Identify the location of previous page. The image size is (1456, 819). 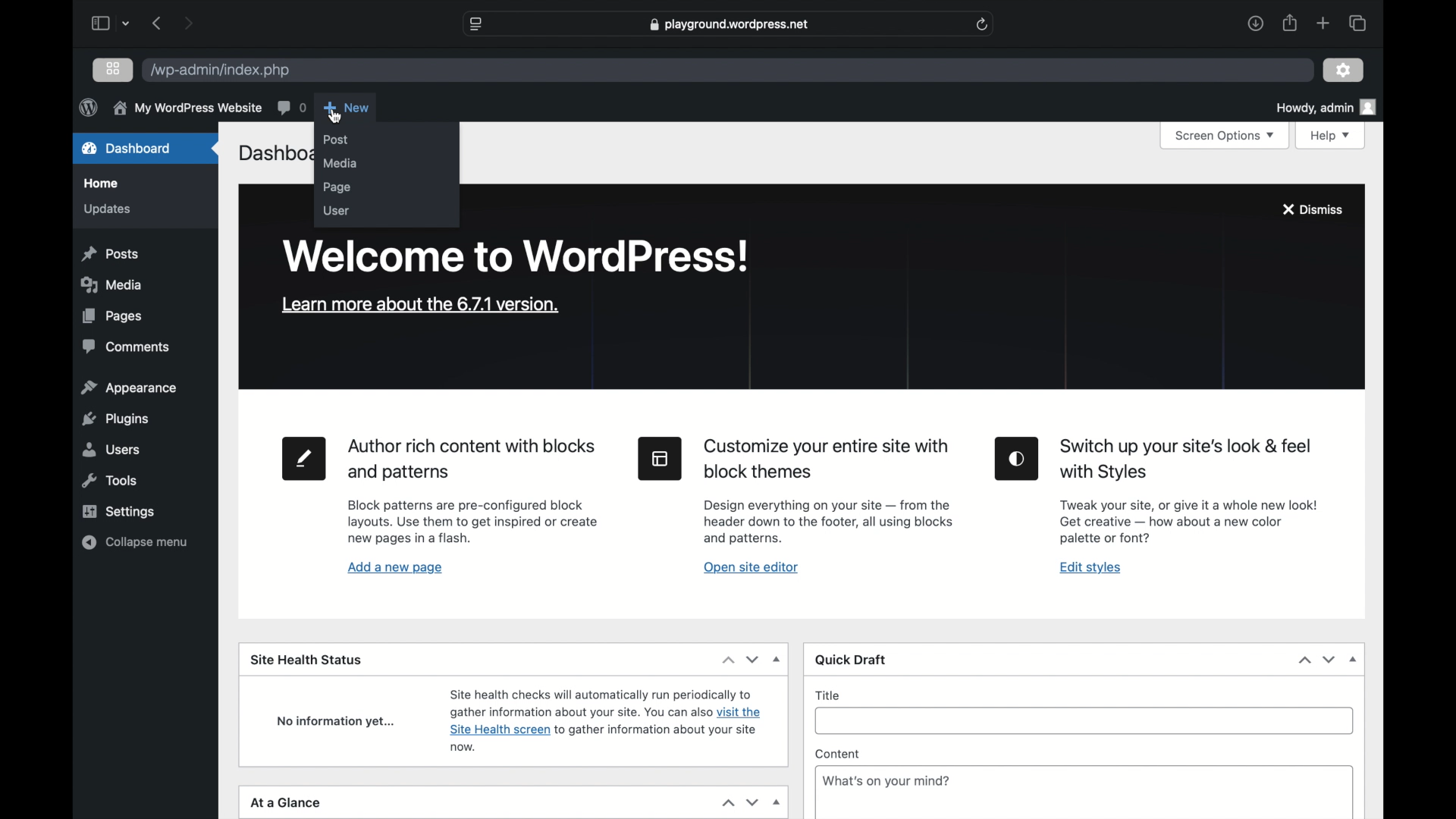
(158, 23).